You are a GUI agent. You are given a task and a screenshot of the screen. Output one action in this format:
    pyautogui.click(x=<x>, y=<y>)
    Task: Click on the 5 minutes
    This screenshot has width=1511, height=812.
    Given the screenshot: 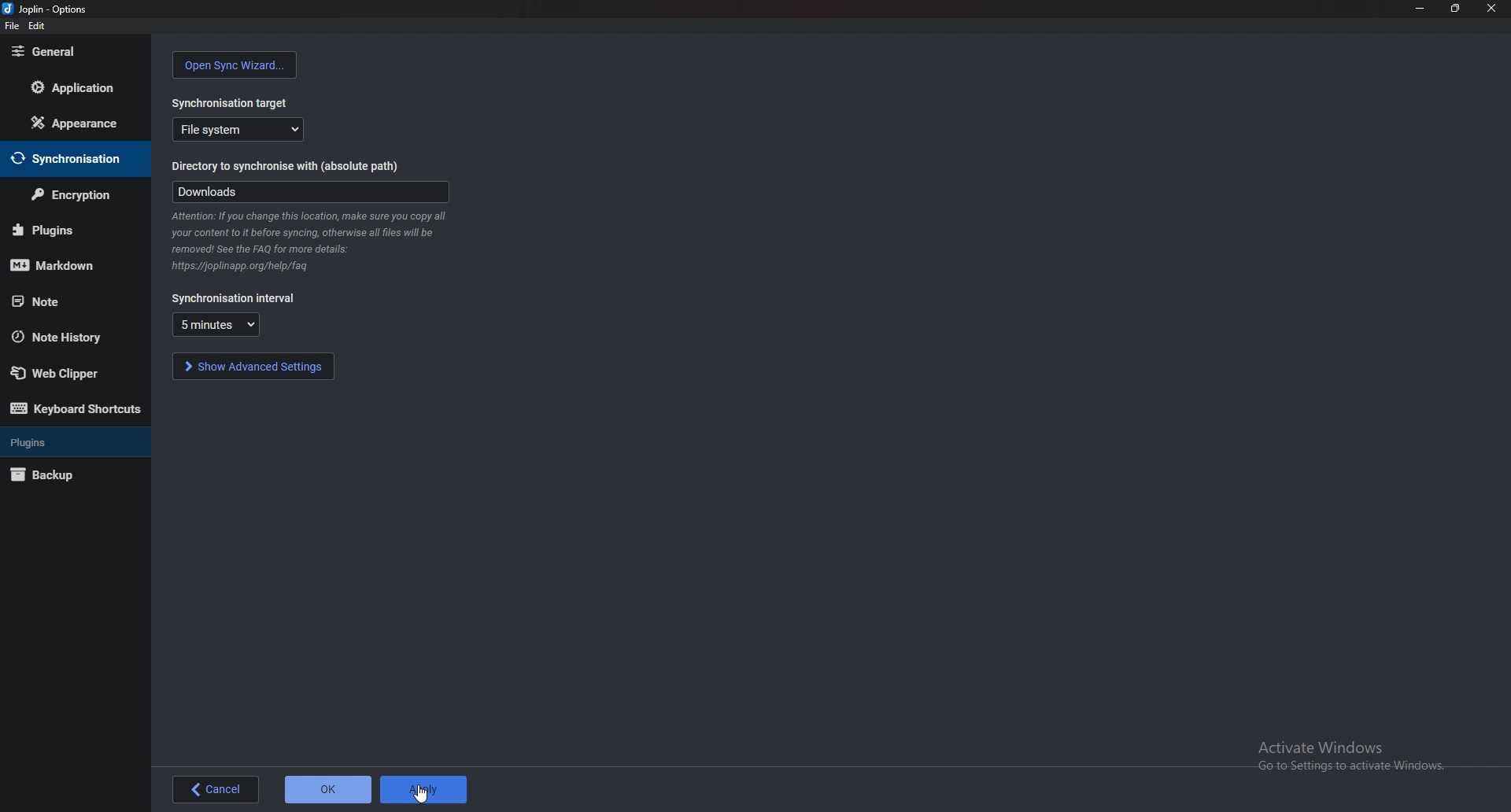 What is the action you would take?
    pyautogui.click(x=216, y=324)
    